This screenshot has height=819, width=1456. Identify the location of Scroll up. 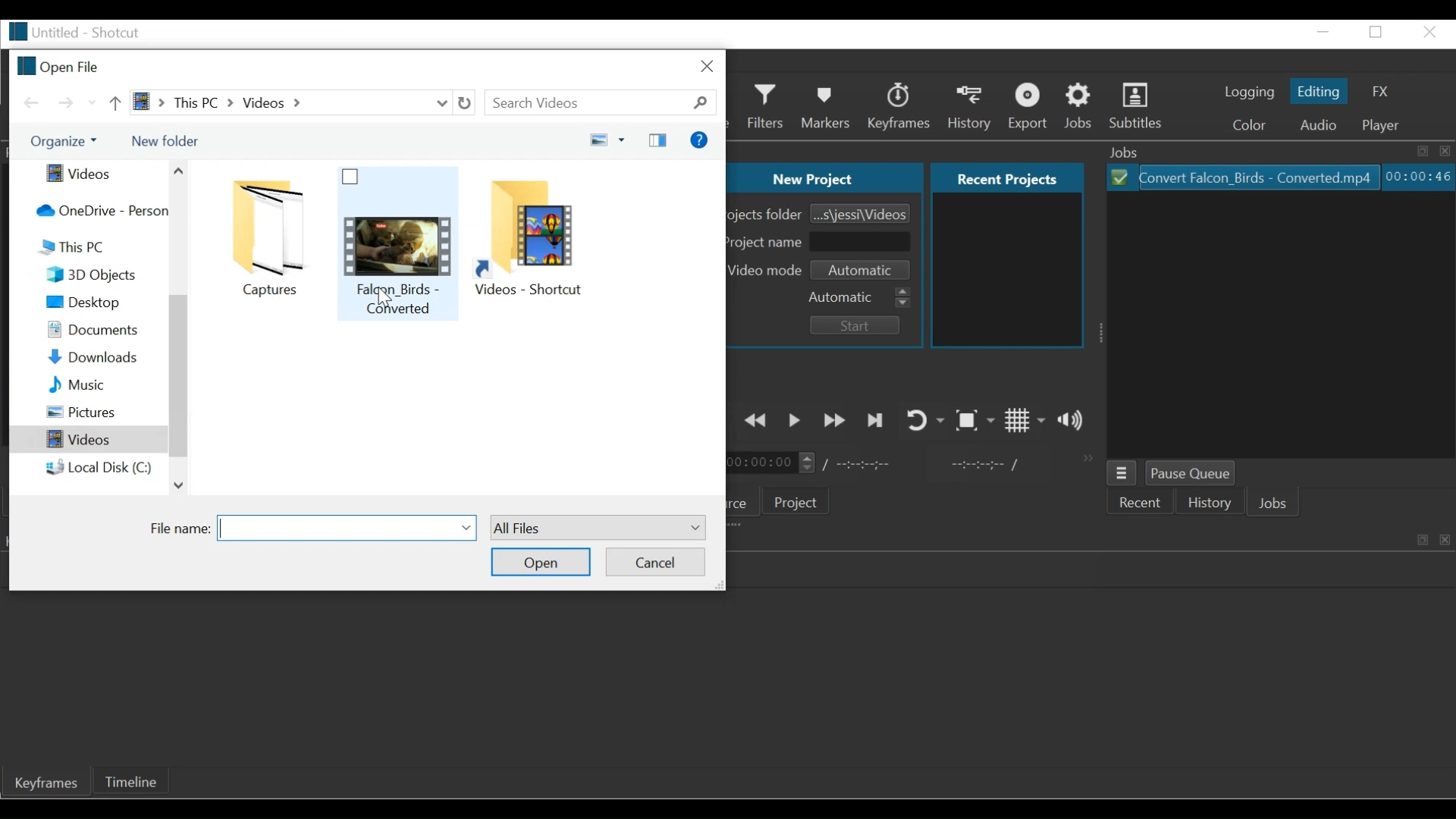
(180, 174).